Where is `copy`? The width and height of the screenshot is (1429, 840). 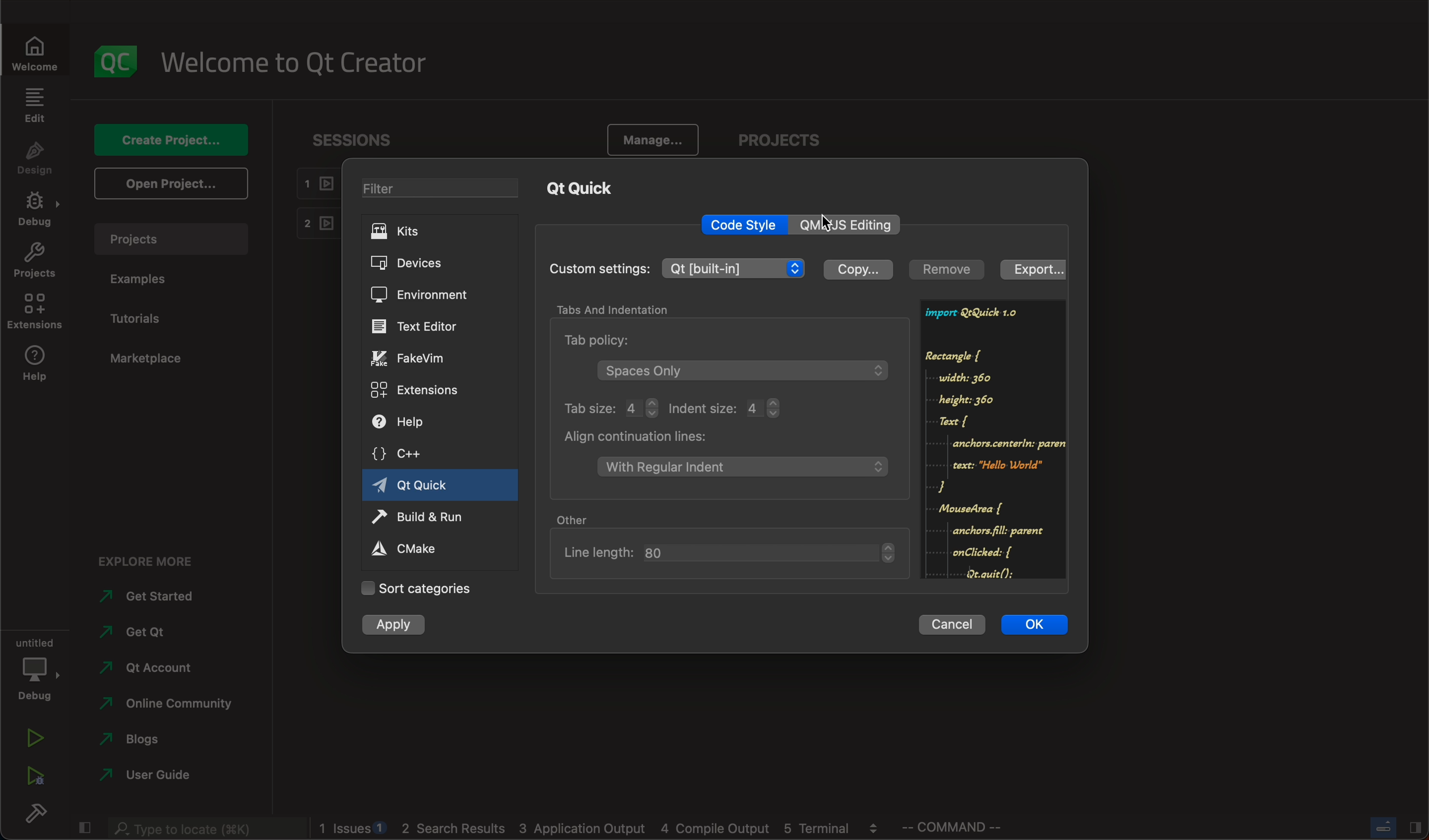 copy is located at coordinates (859, 271).